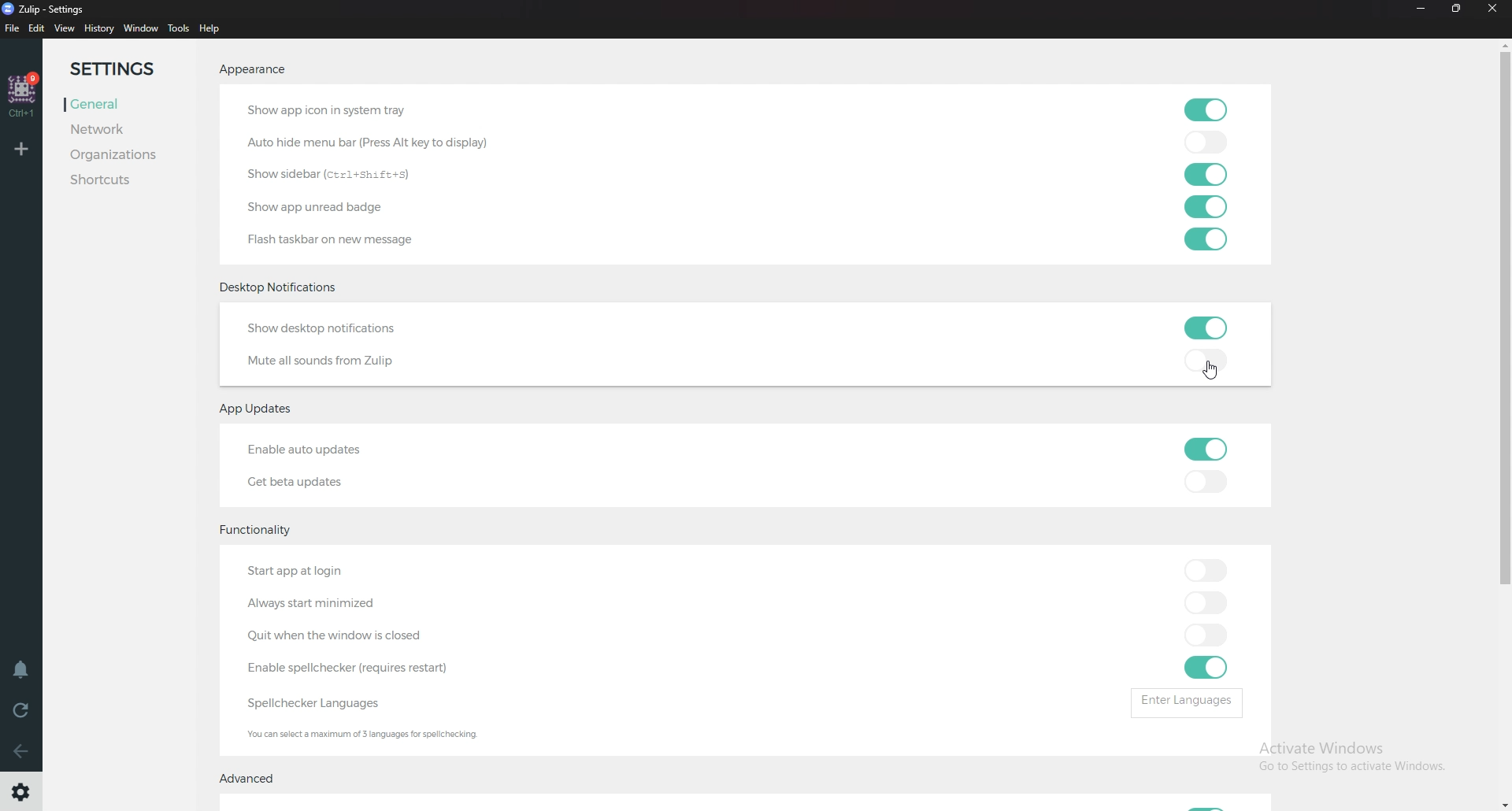 The height and width of the screenshot is (811, 1512). What do you see at coordinates (1205, 176) in the screenshot?
I see `toggle` at bounding box center [1205, 176].